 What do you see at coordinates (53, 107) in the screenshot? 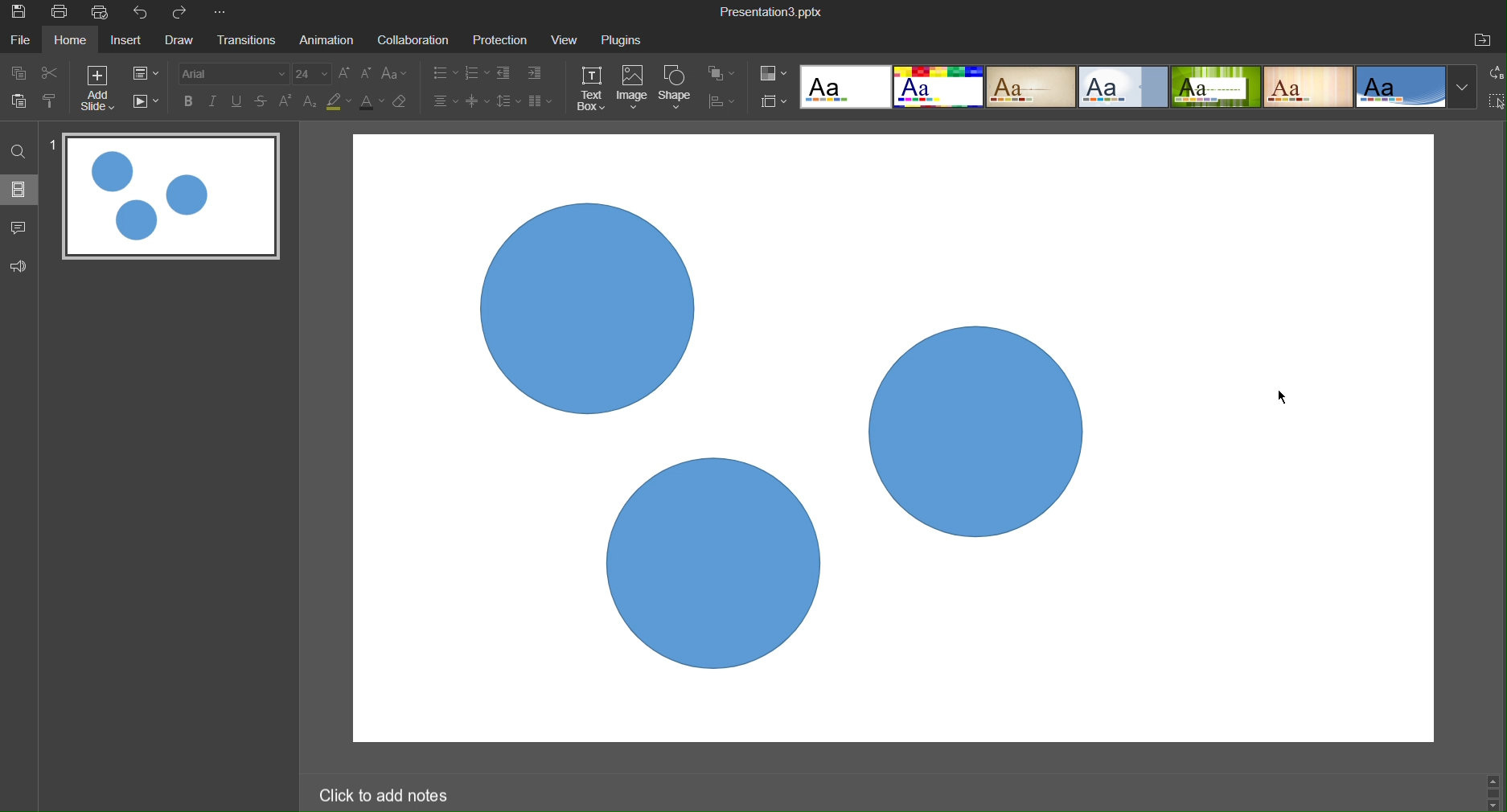
I see `Copy Style` at bounding box center [53, 107].